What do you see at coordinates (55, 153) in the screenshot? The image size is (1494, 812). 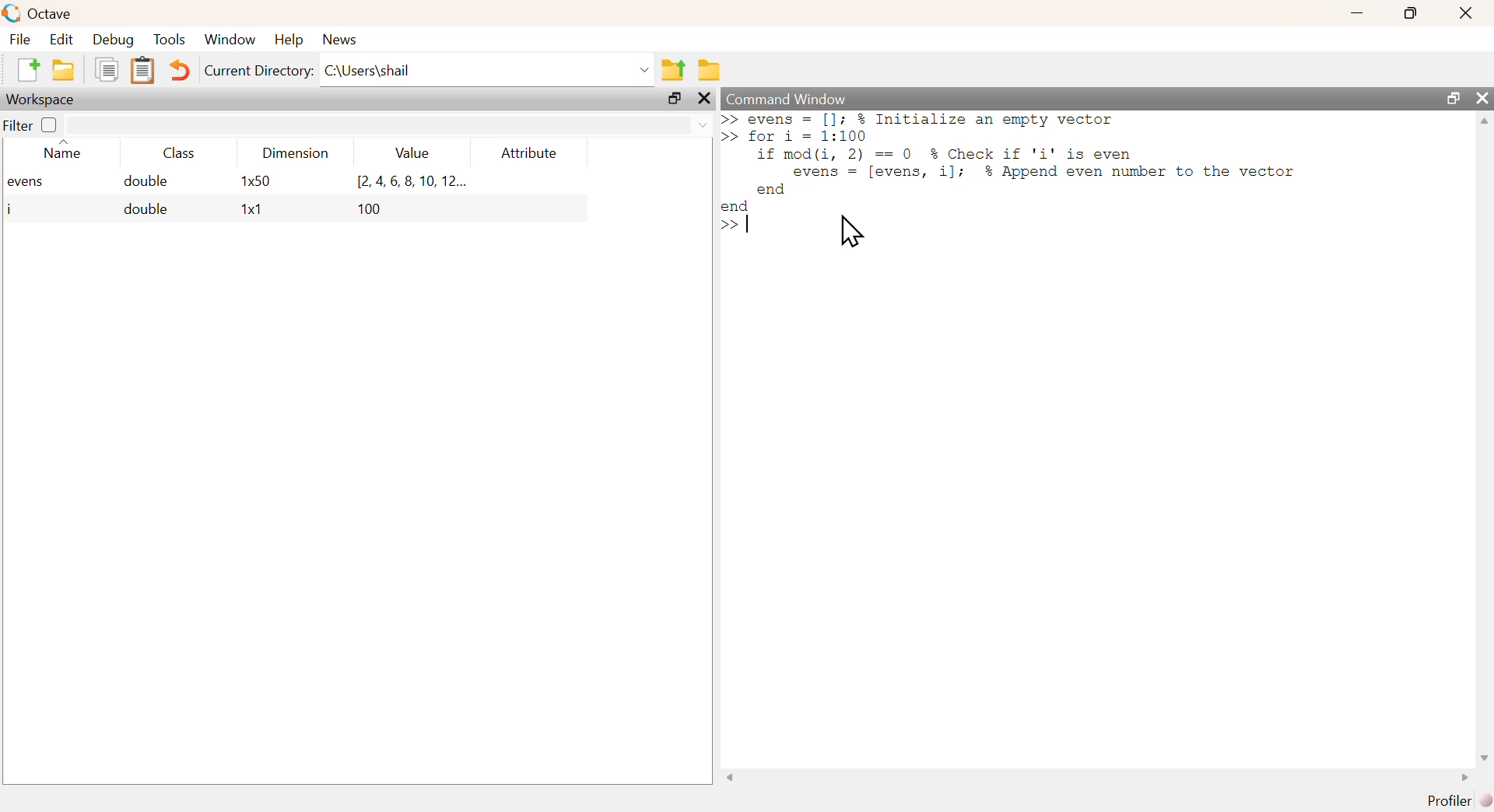 I see `name` at bounding box center [55, 153].